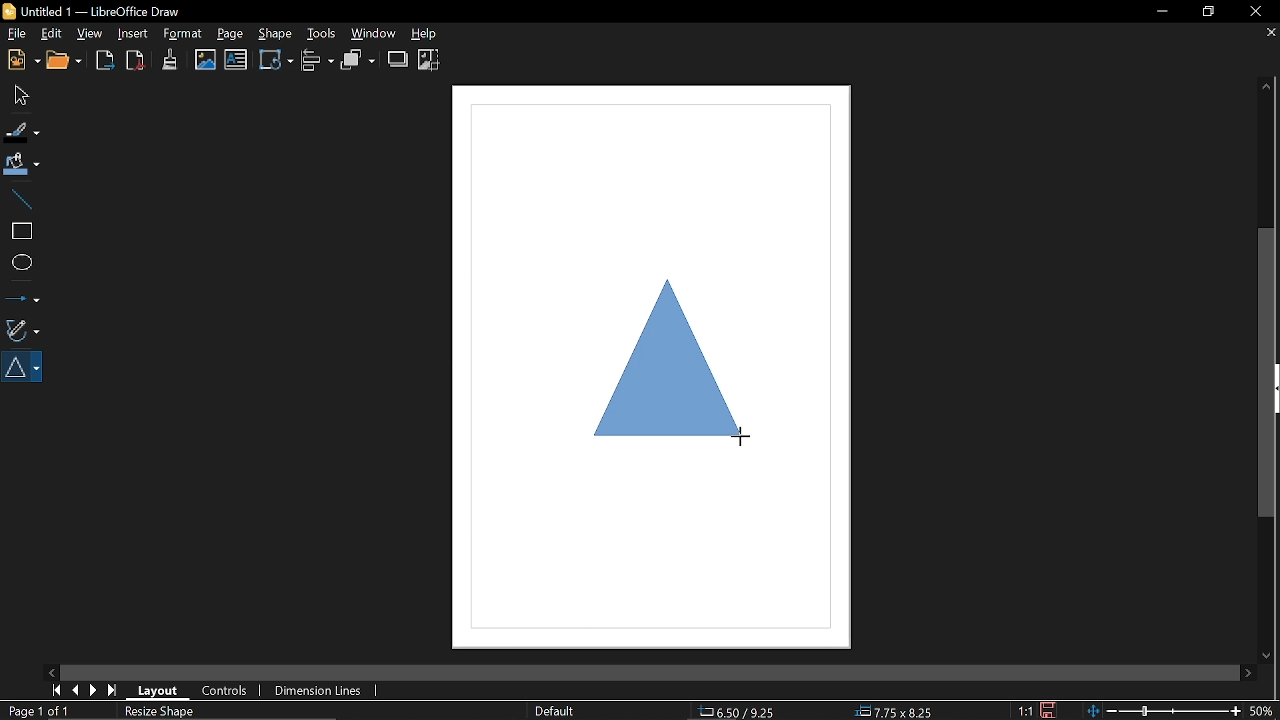 This screenshot has height=720, width=1280. Describe the element at coordinates (319, 61) in the screenshot. I see `Align` at that location.